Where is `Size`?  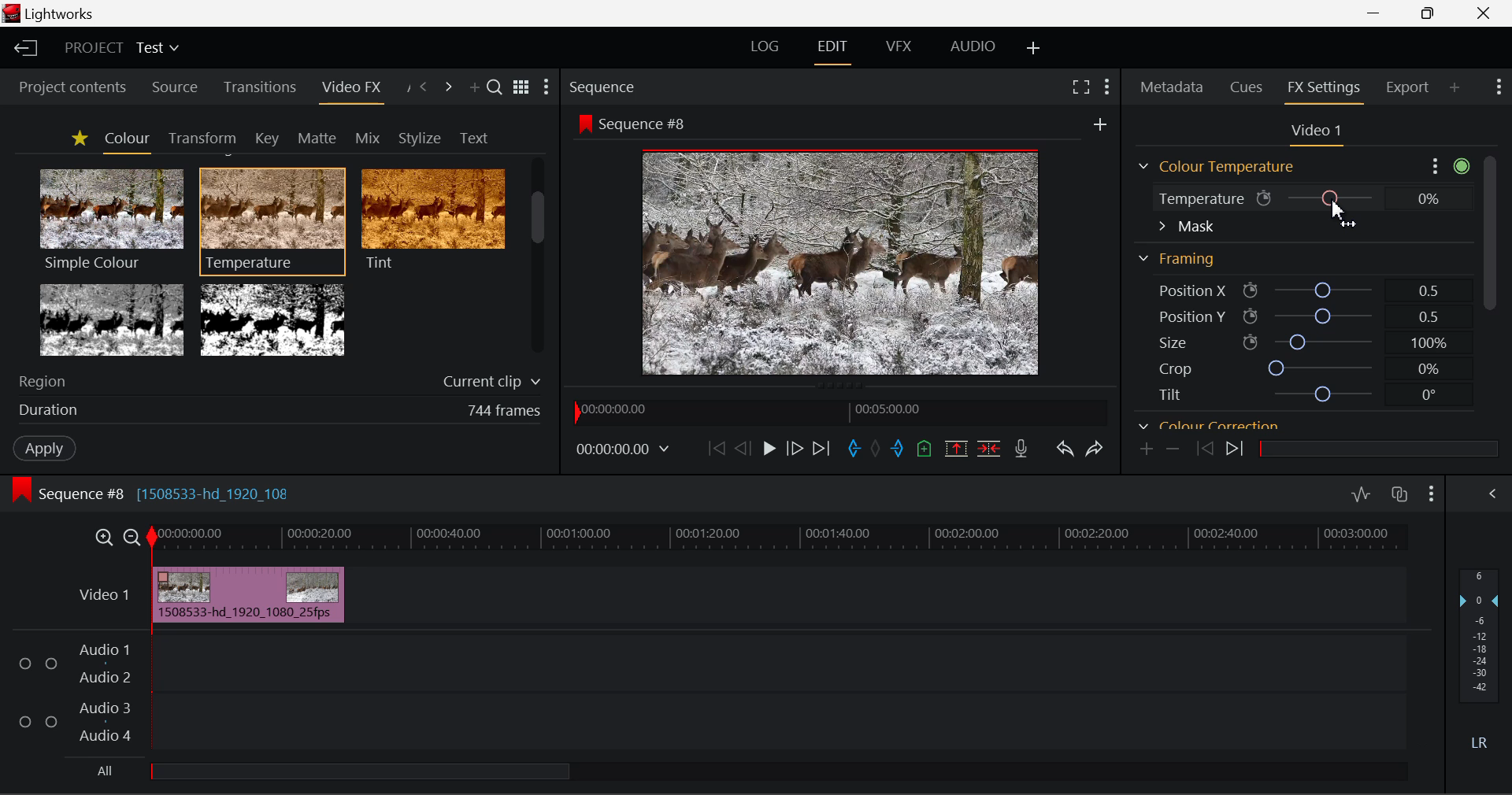 Size is located at coordinates (1171, 341).